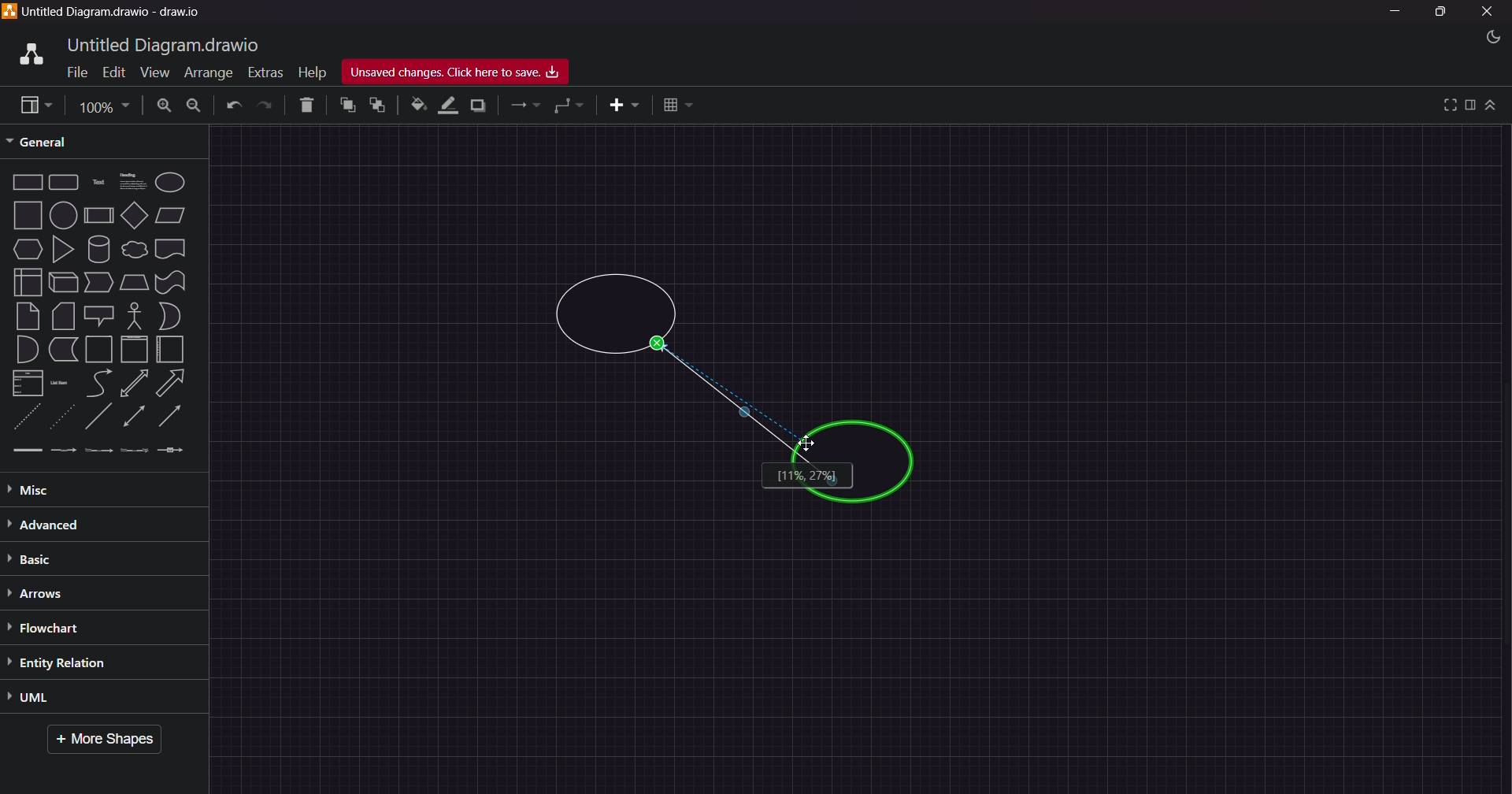  Describe the element at coordinates (481, 105) in the screenshot. I see `shadow` at that location.